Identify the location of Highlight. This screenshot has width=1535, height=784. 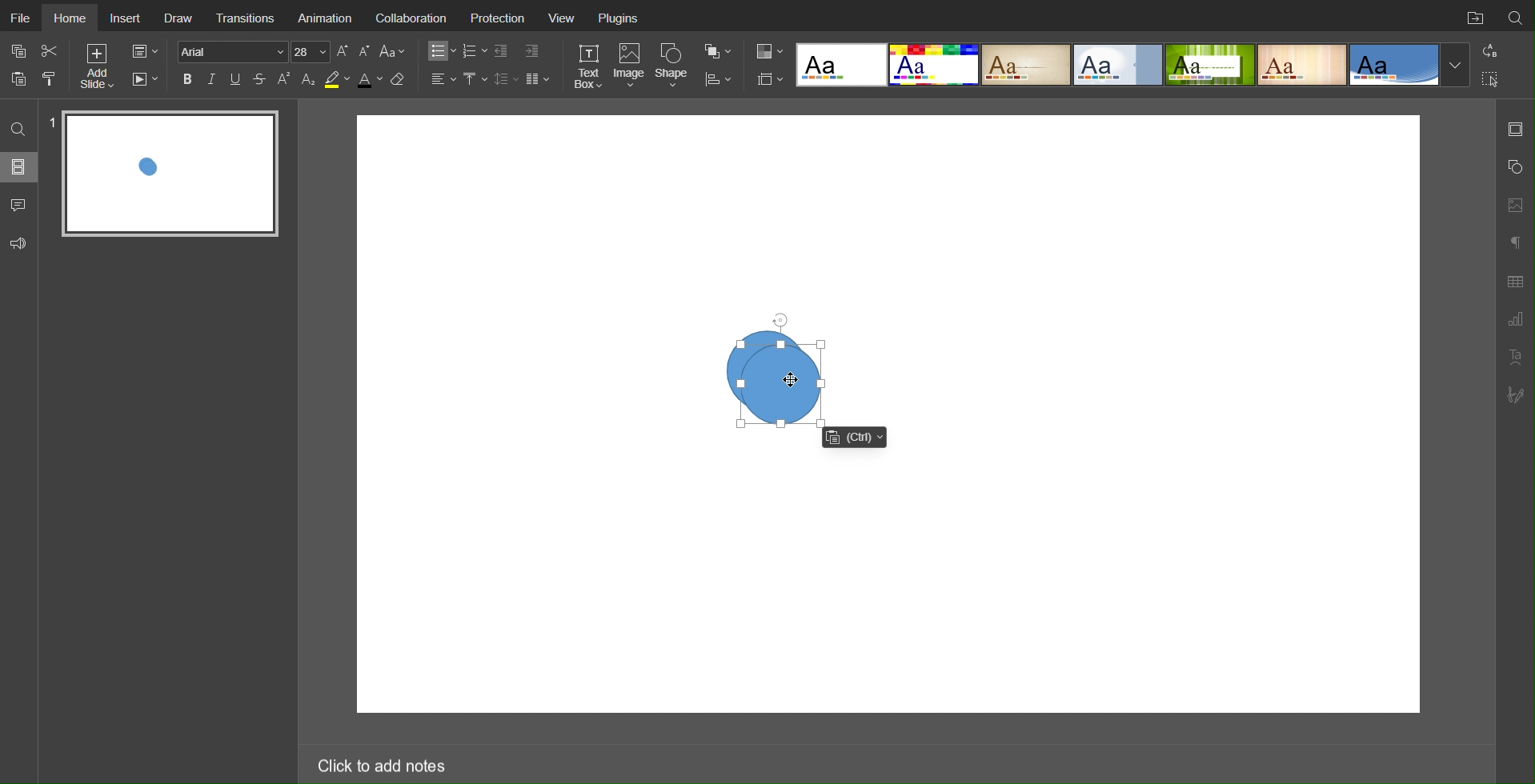
(336, 80).